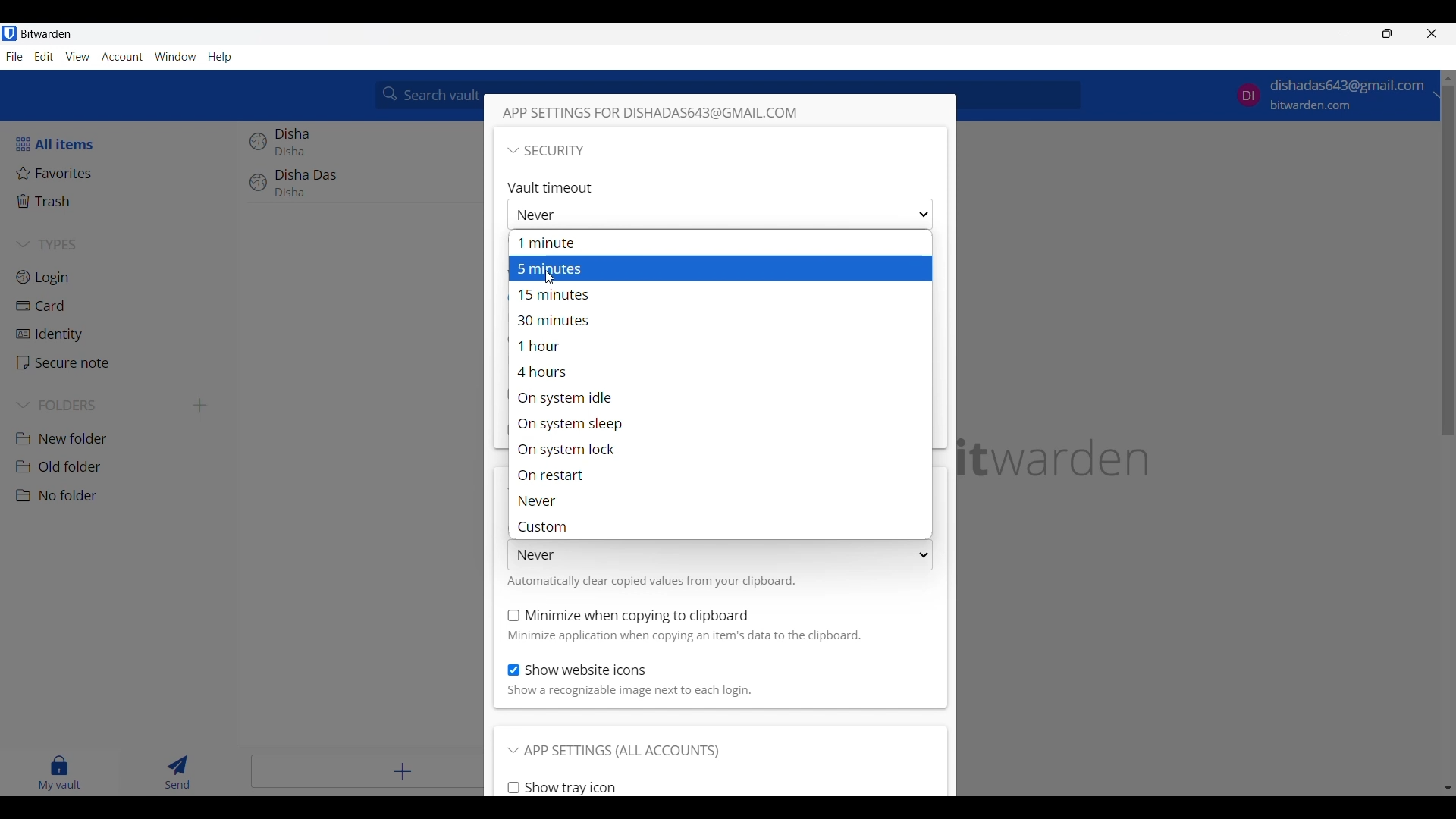 The height and width of the screenshot is (819, 1456). I want to click on  account options, so click(1332, 96).